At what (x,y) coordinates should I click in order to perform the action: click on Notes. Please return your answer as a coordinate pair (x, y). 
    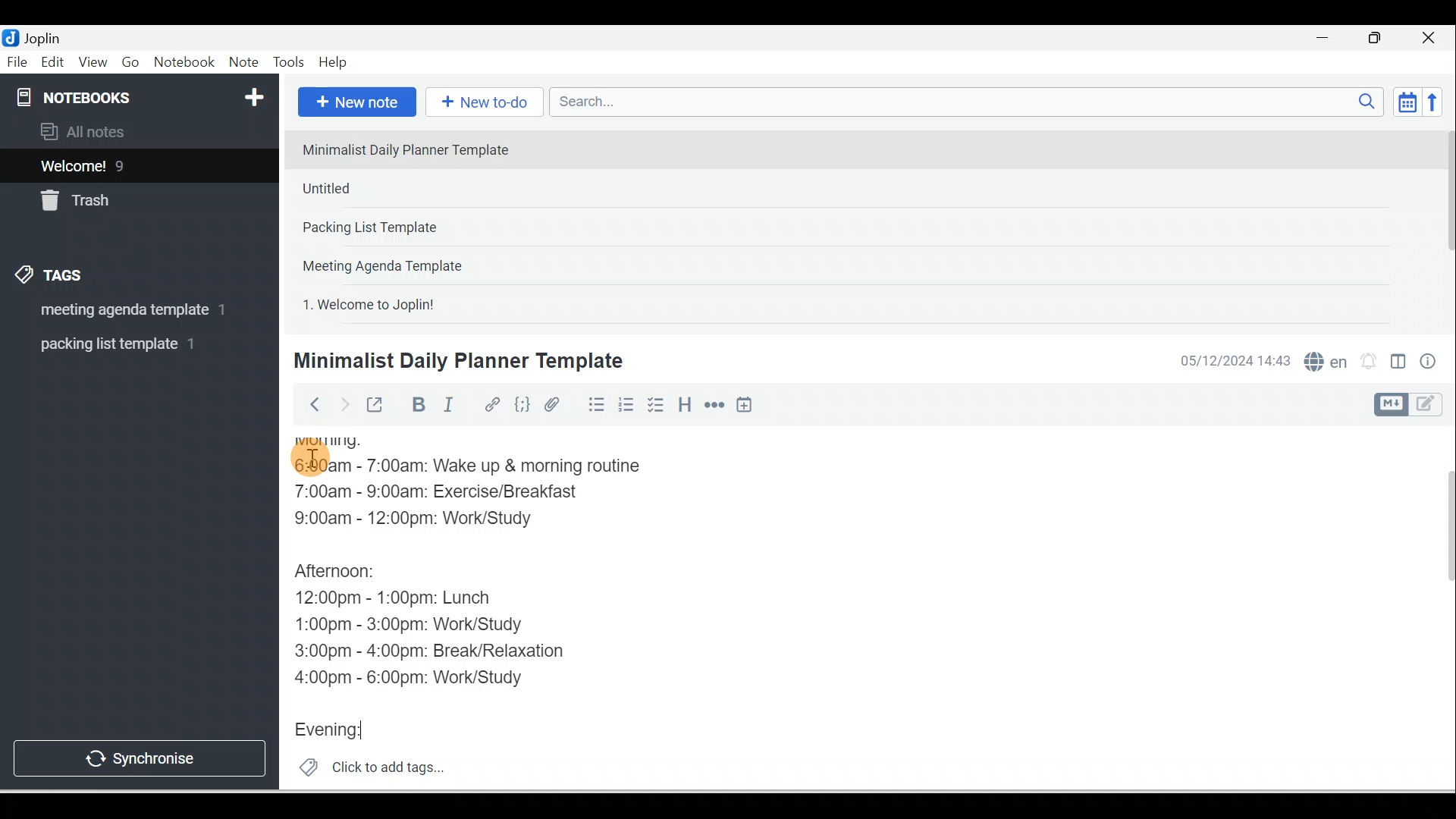
    Looking at the image, I should click on (128, 162).